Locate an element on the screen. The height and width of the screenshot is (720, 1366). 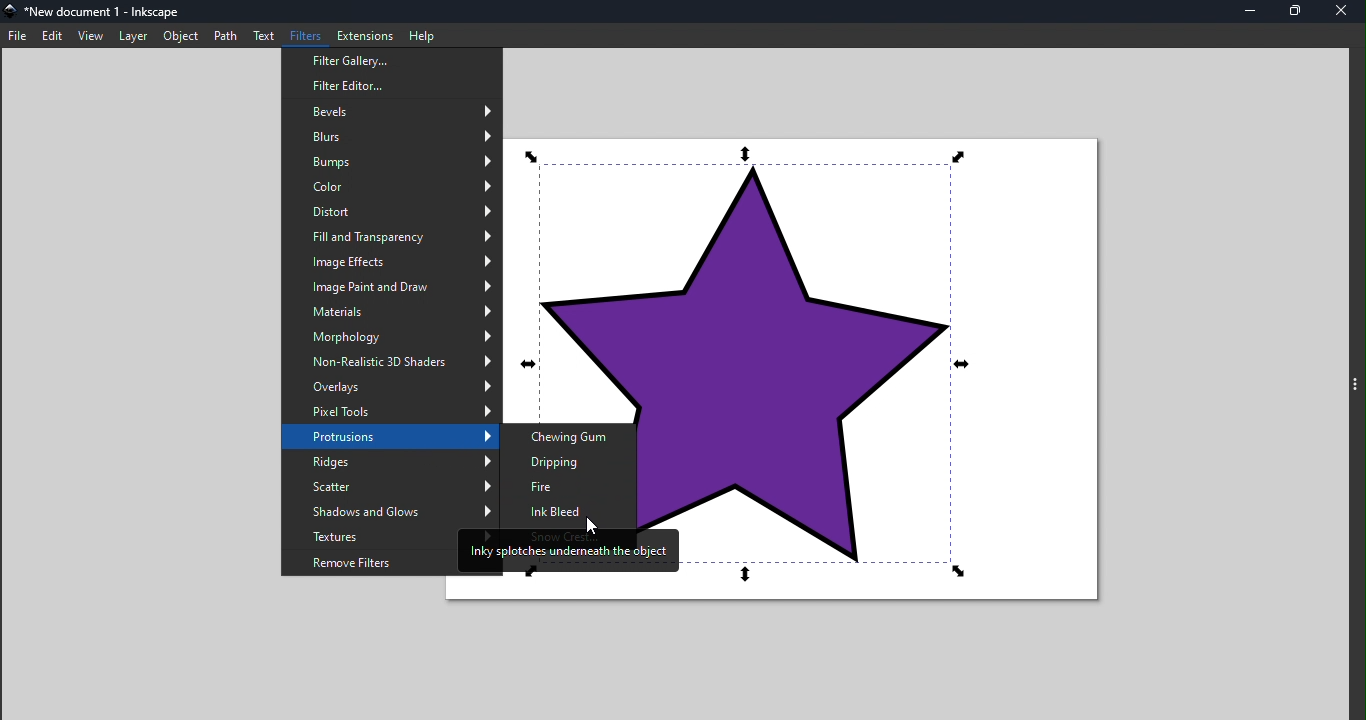
Bumps is located at coordinates (392, 163).